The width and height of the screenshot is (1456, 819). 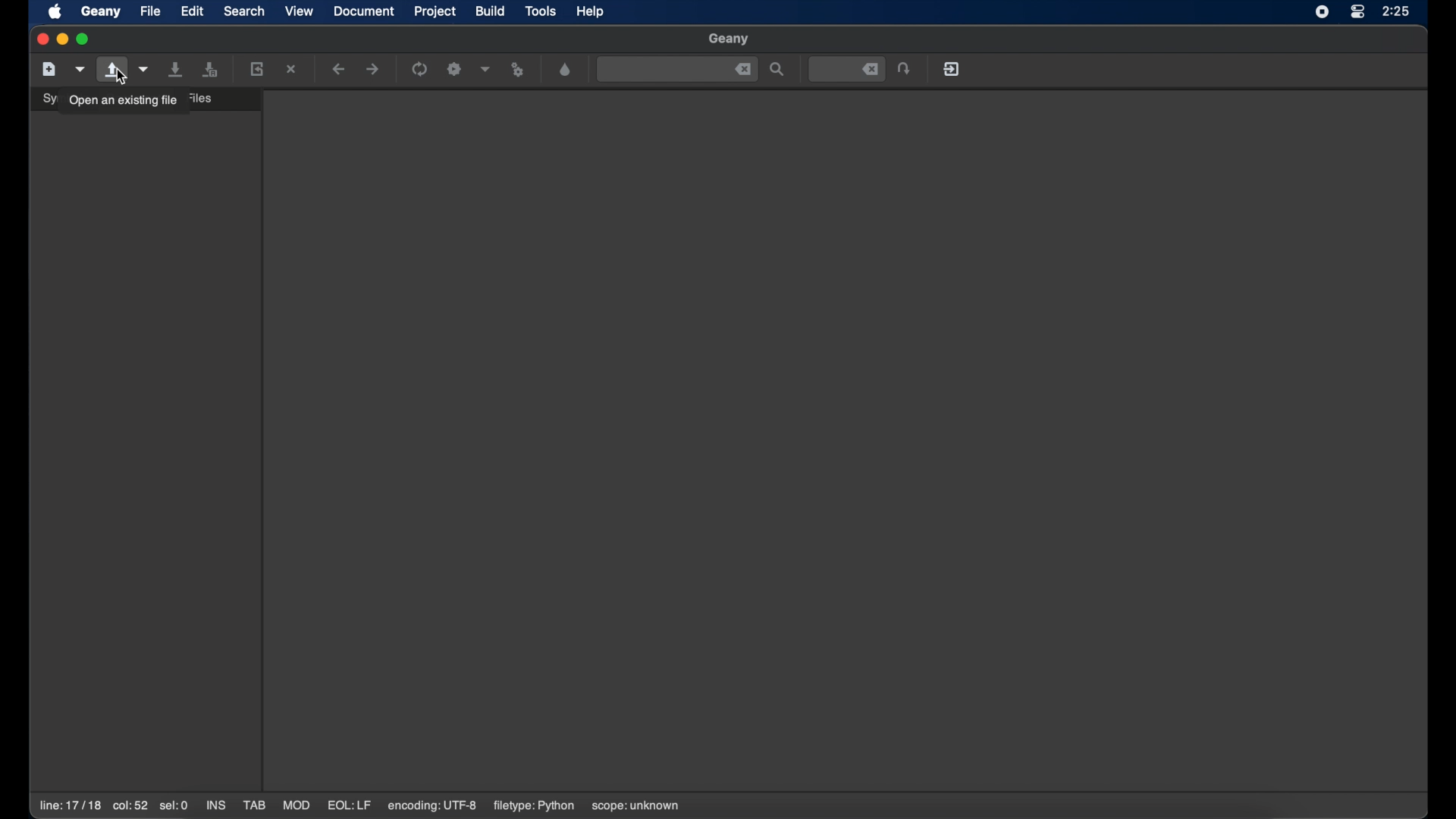 I want to click on edit, so click(x=193, y=11).